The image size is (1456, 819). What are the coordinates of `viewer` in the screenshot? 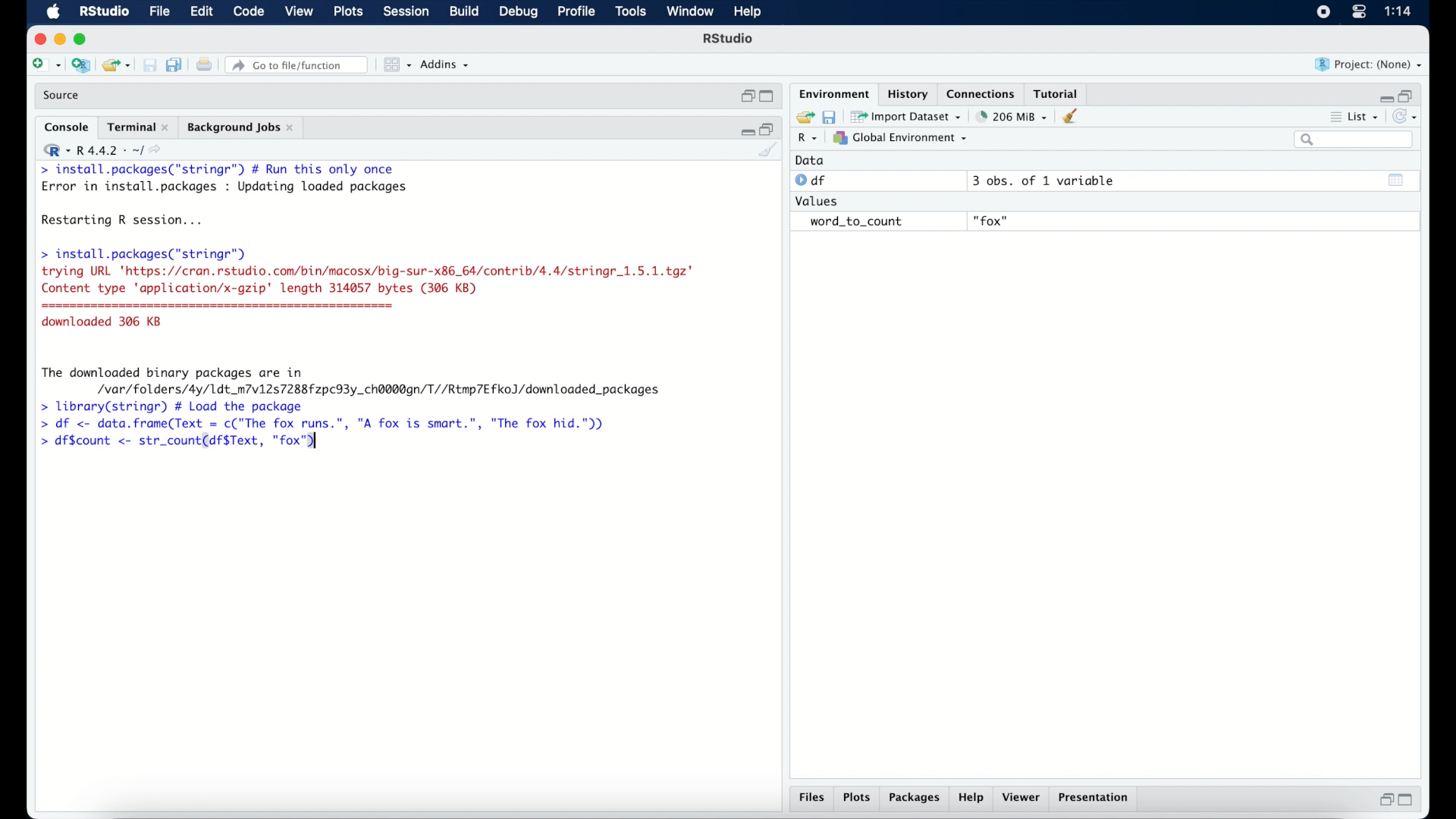 It's located at (1022, 798).